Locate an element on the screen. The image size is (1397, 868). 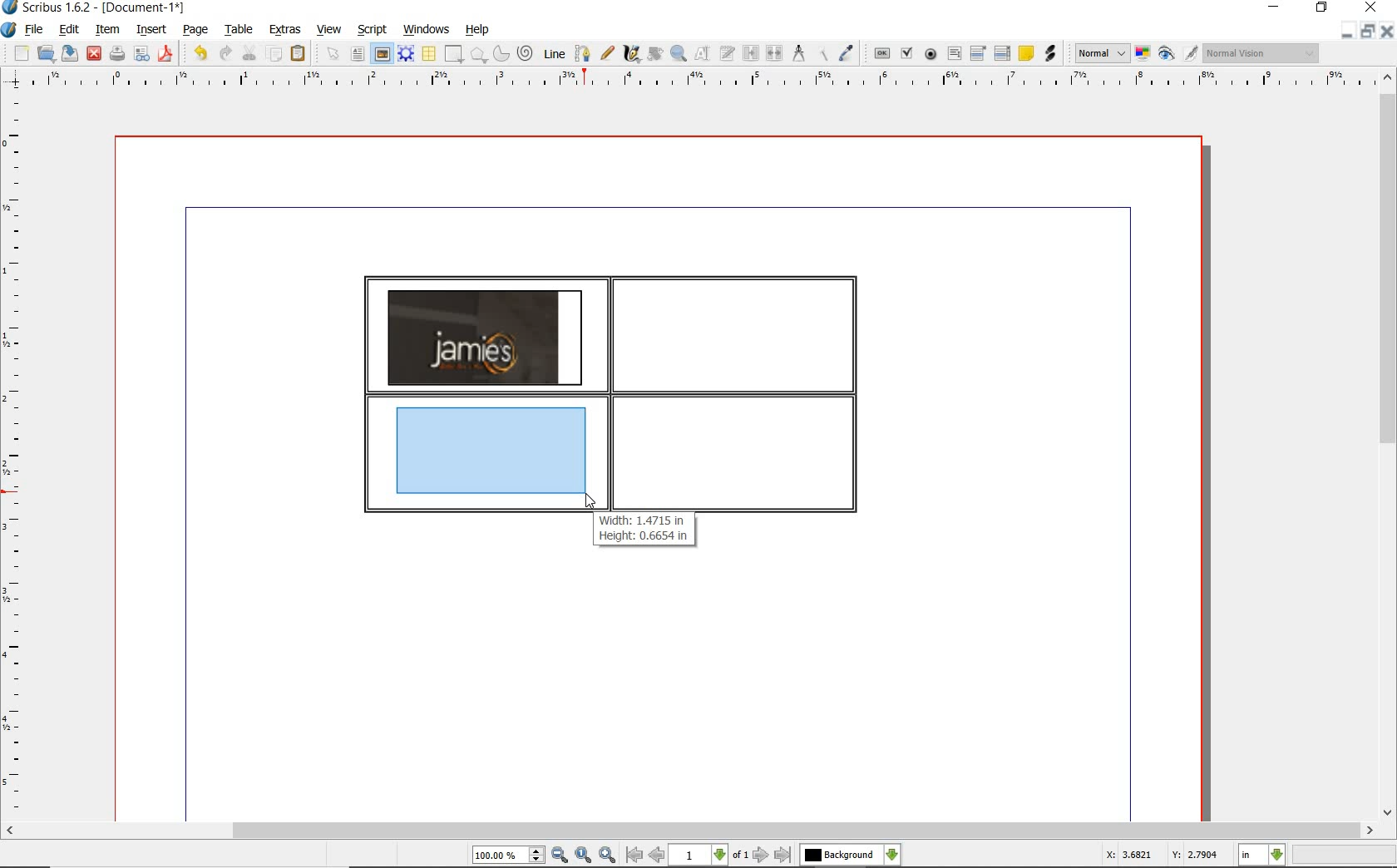
edit text with story editor is located at coordinates (728, 52).